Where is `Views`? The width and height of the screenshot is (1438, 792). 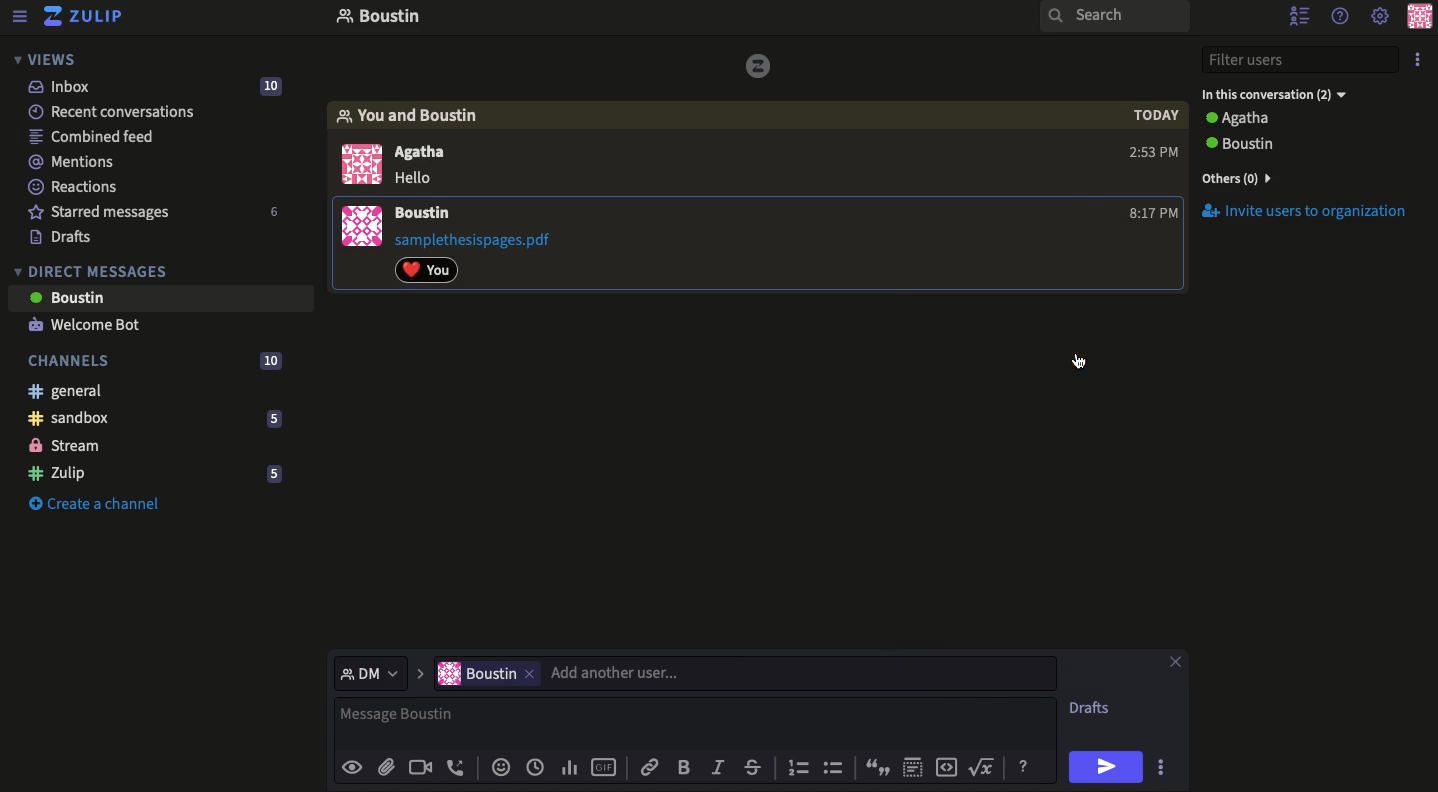 Views is located at coordinates (48, 58).